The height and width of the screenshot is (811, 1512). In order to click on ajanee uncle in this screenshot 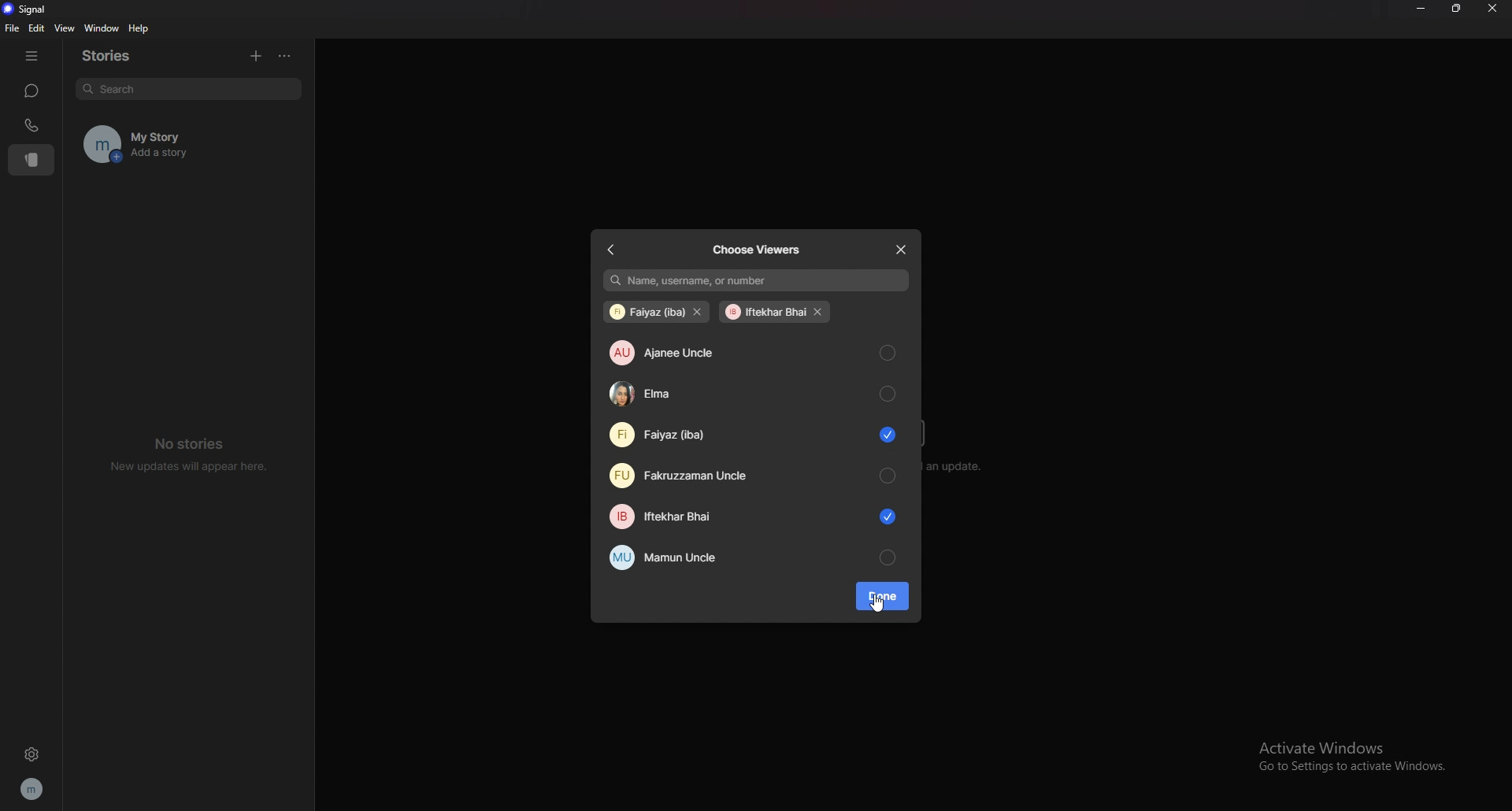, I will do `click(752, 352)`.